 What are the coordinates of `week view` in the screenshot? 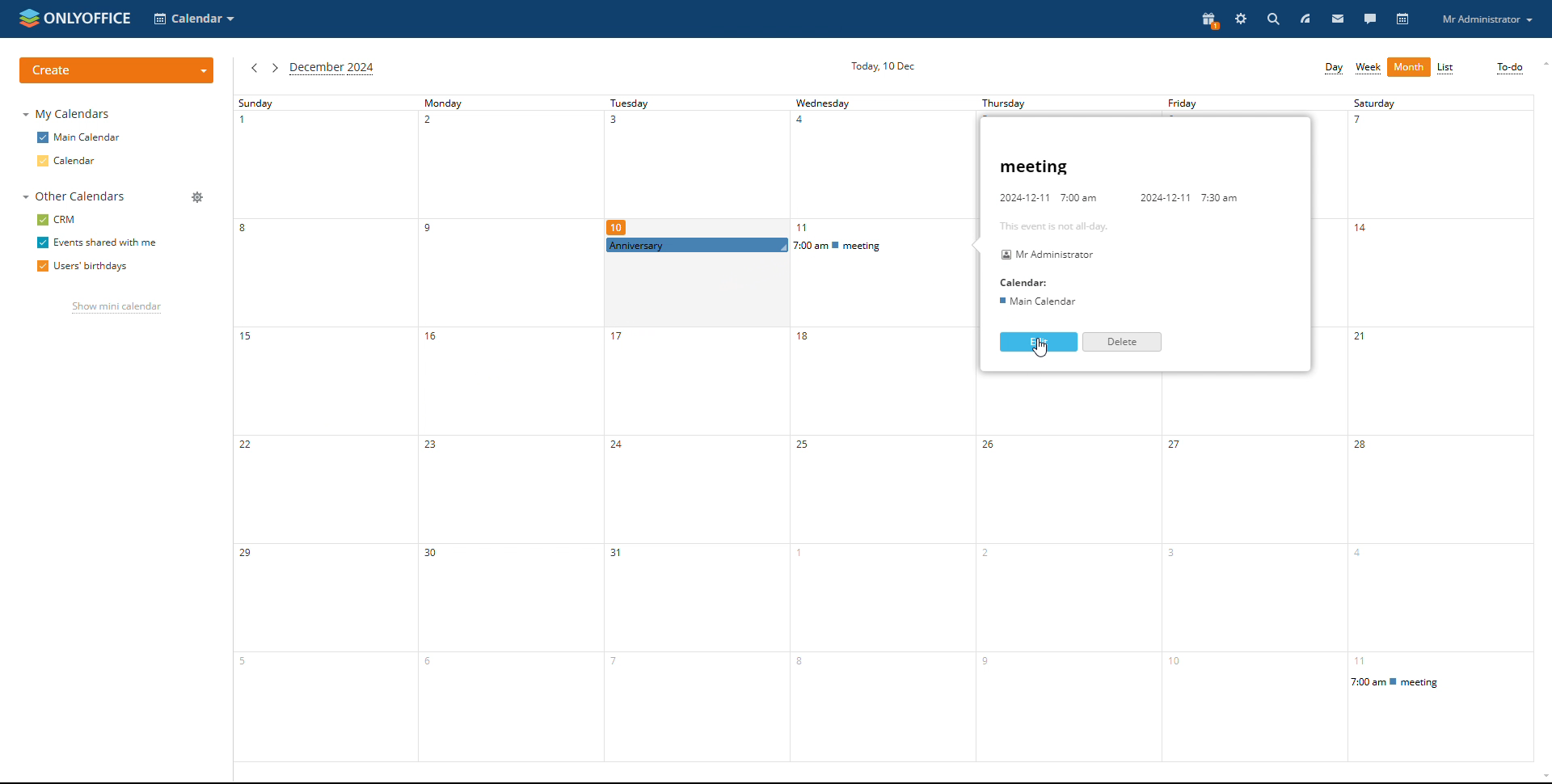 It's located at (1369, 69).